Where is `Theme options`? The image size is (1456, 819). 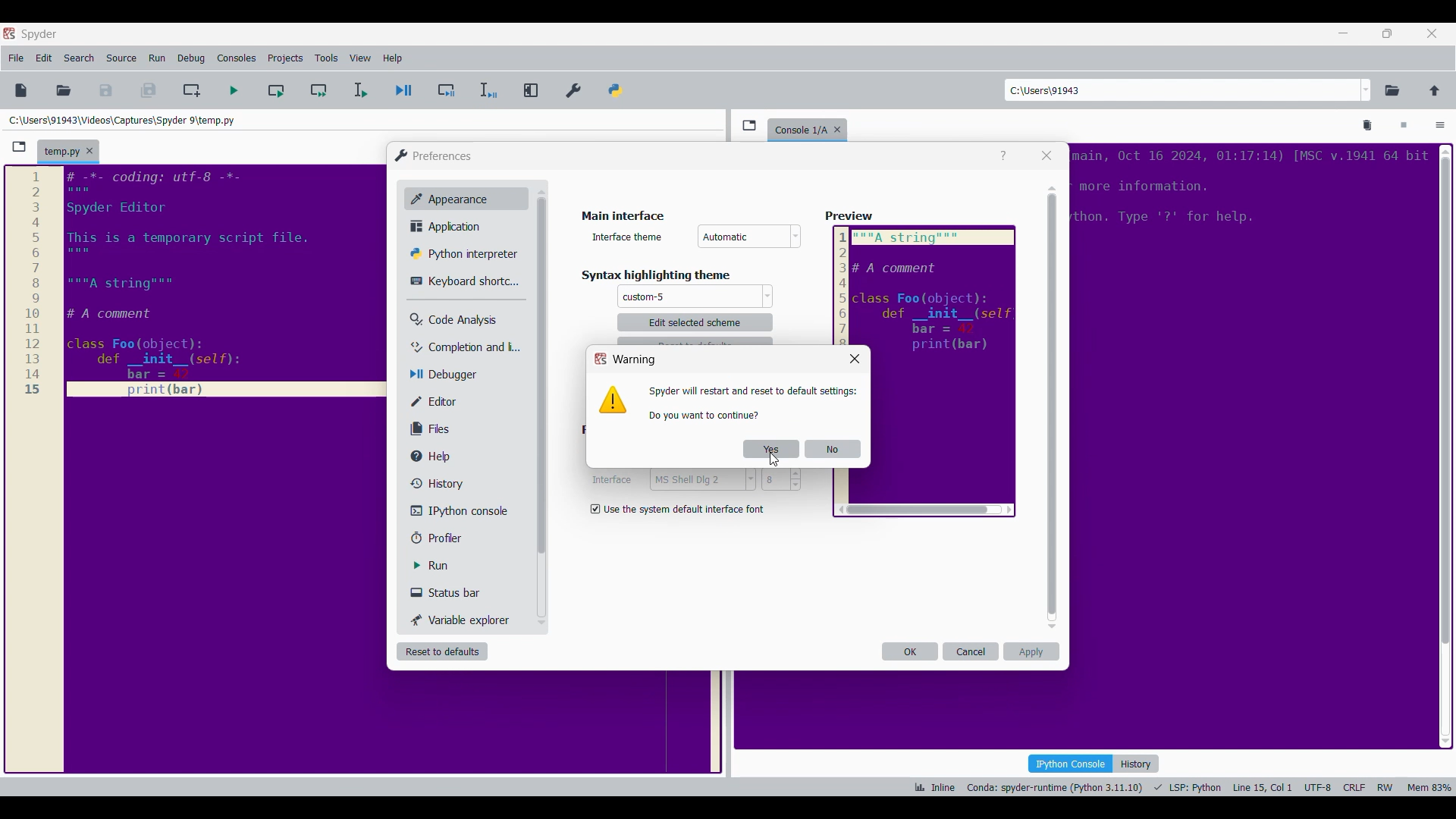
Theme options is located at coordinates (696, 297).